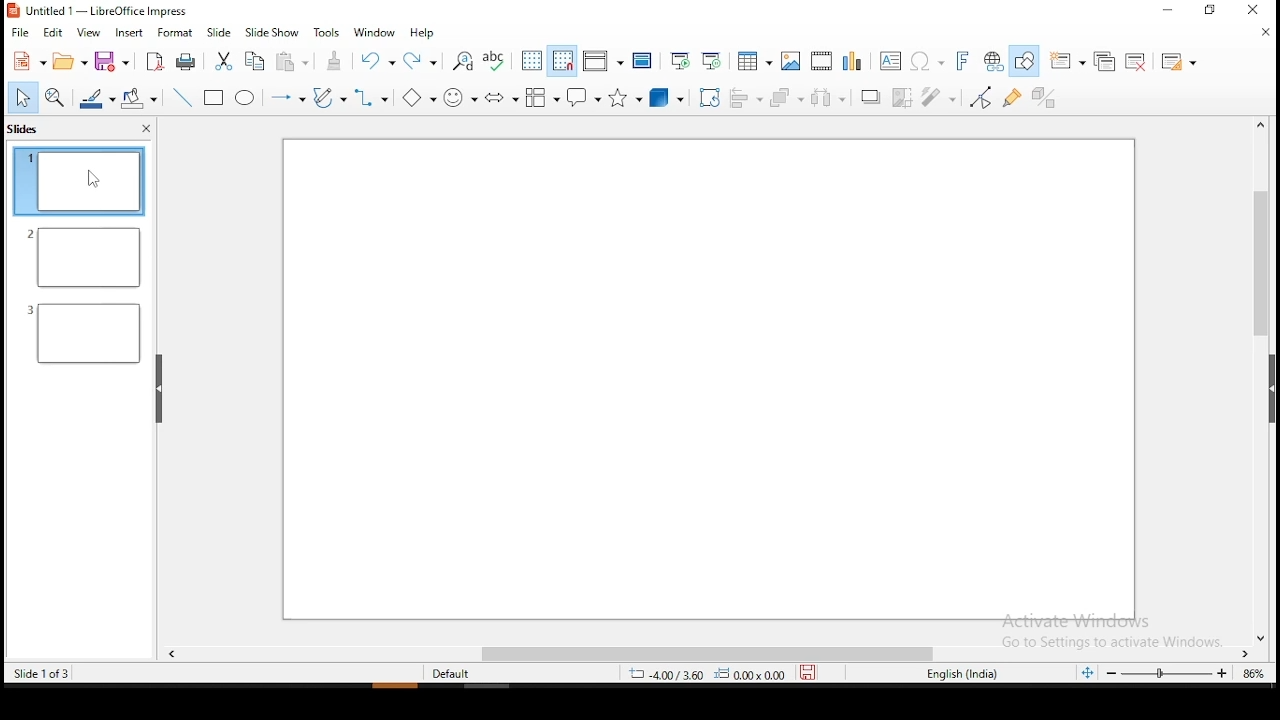  Describe the element at coordinates (746, 100) in the screenshot. I see `align objects` at that location.